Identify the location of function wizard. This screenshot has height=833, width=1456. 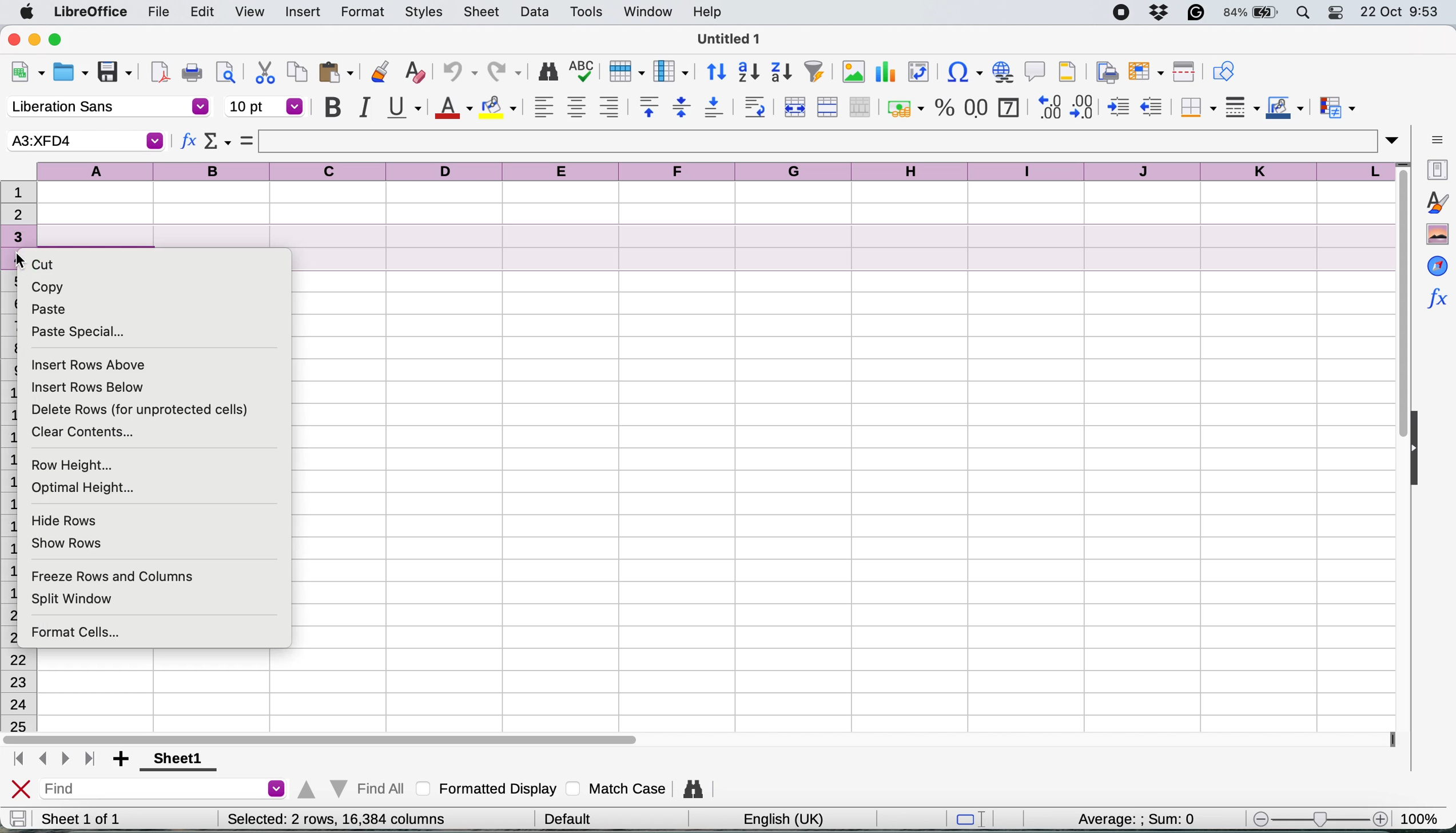
(1436, 296).